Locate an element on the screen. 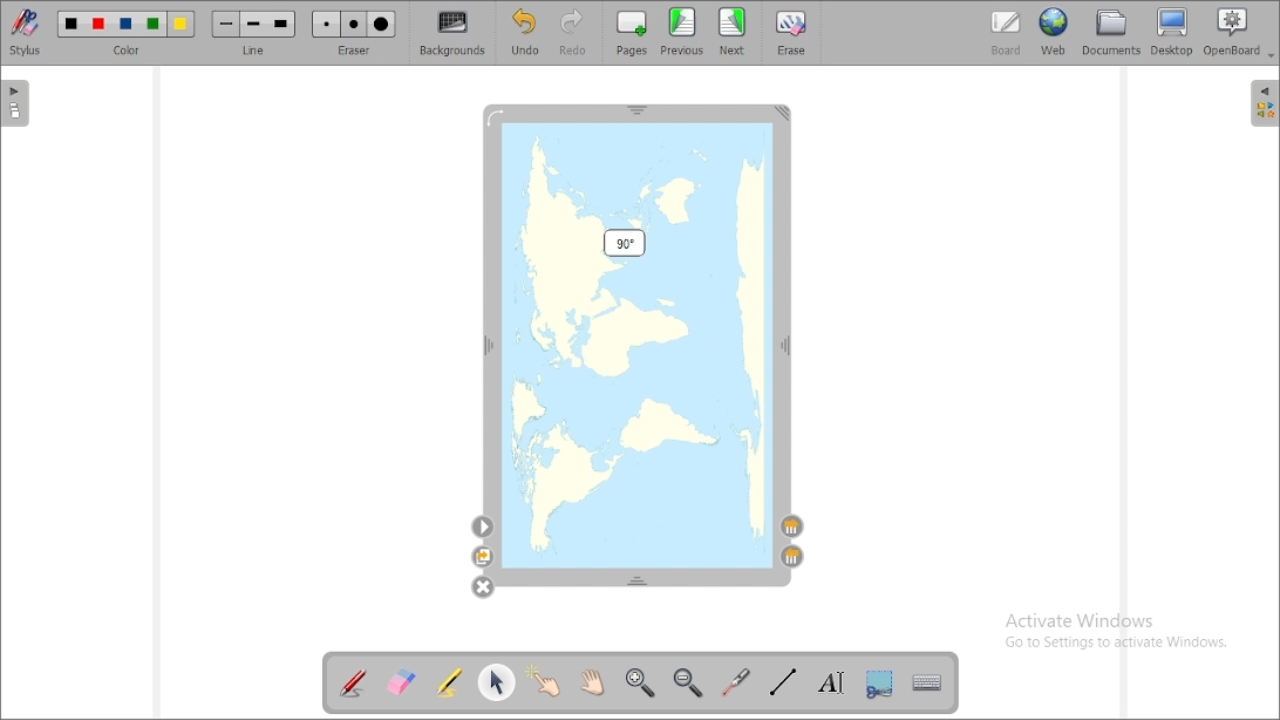  display virtual keyboard is located at coordinates (926, 682).